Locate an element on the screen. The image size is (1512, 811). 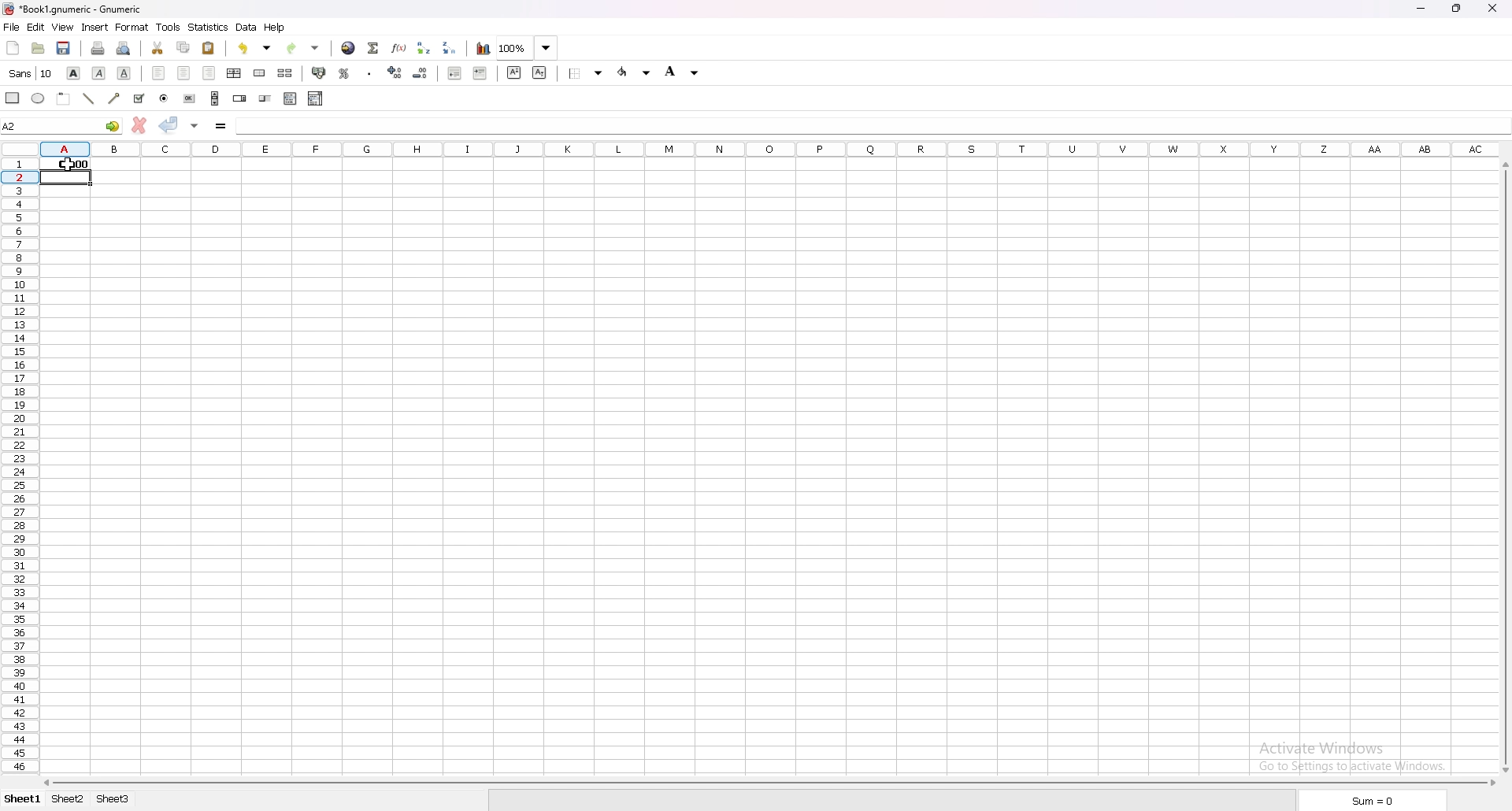
sort ascending is located at coordinates (423, 48).